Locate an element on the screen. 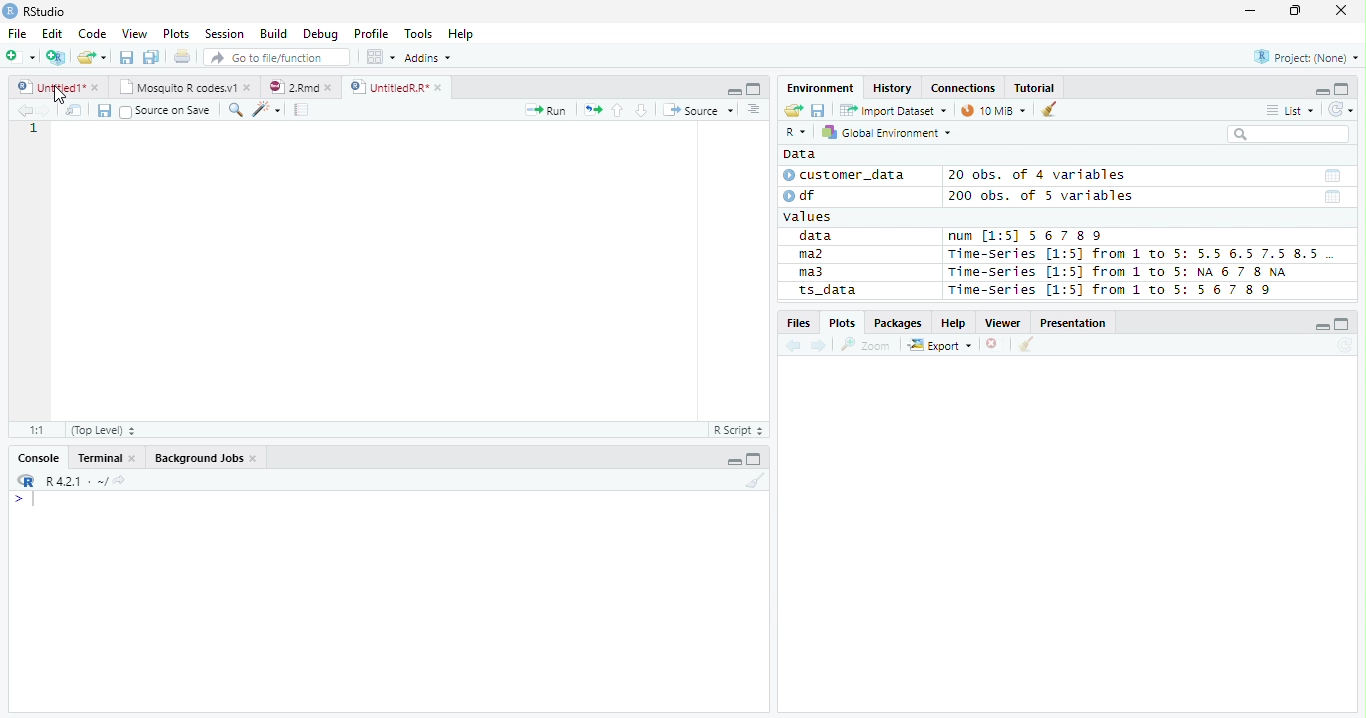 The height and width of the screenshot is (718, 1366). Down is located at coordinates (641, 111).